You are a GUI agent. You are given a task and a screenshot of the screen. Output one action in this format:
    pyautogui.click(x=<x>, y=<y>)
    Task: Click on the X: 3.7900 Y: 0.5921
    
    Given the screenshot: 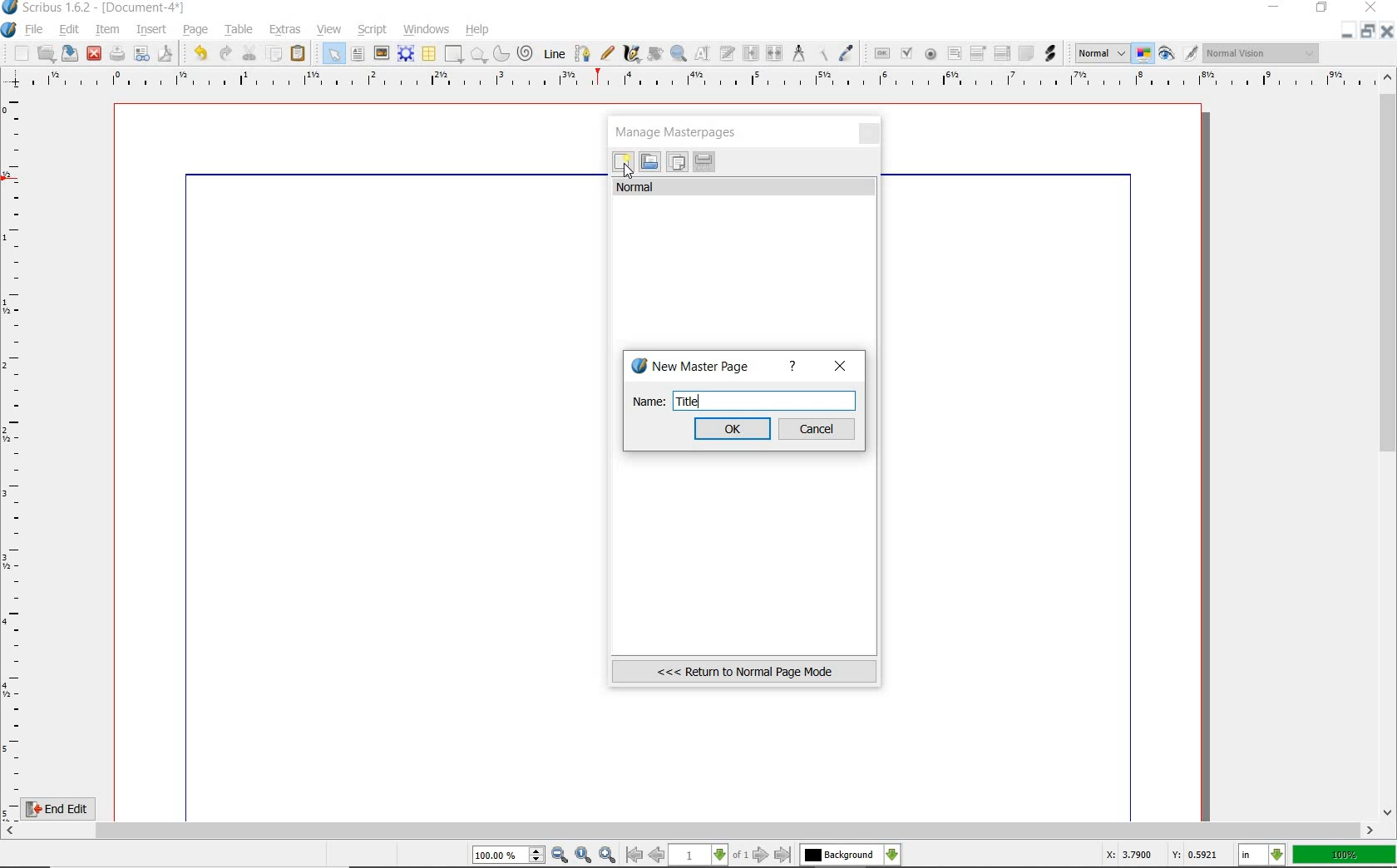 What is the action you would take?
    pyautogui.click(x=1163, y=856)
    